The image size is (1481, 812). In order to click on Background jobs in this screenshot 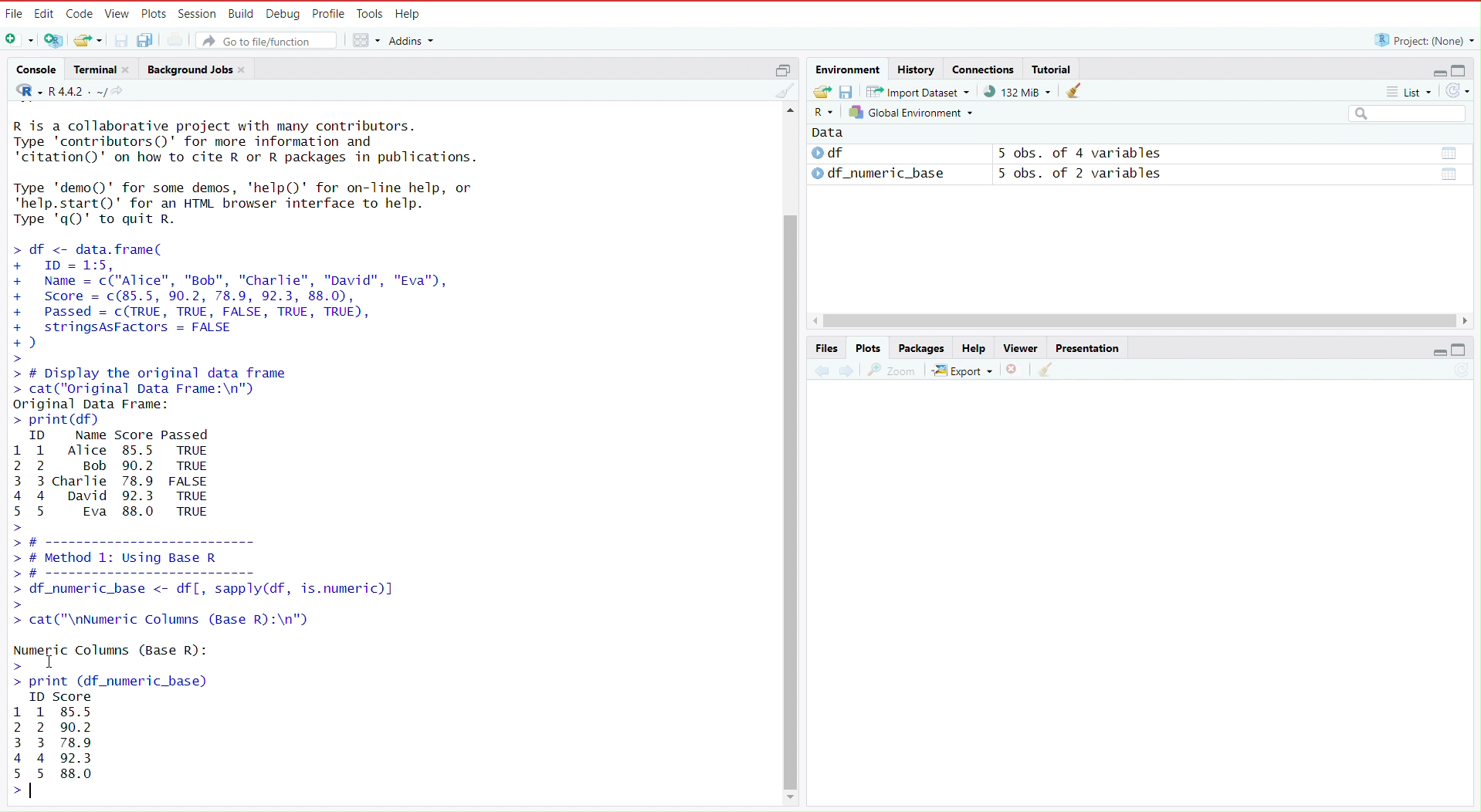, I will do `click(188, 67)`.